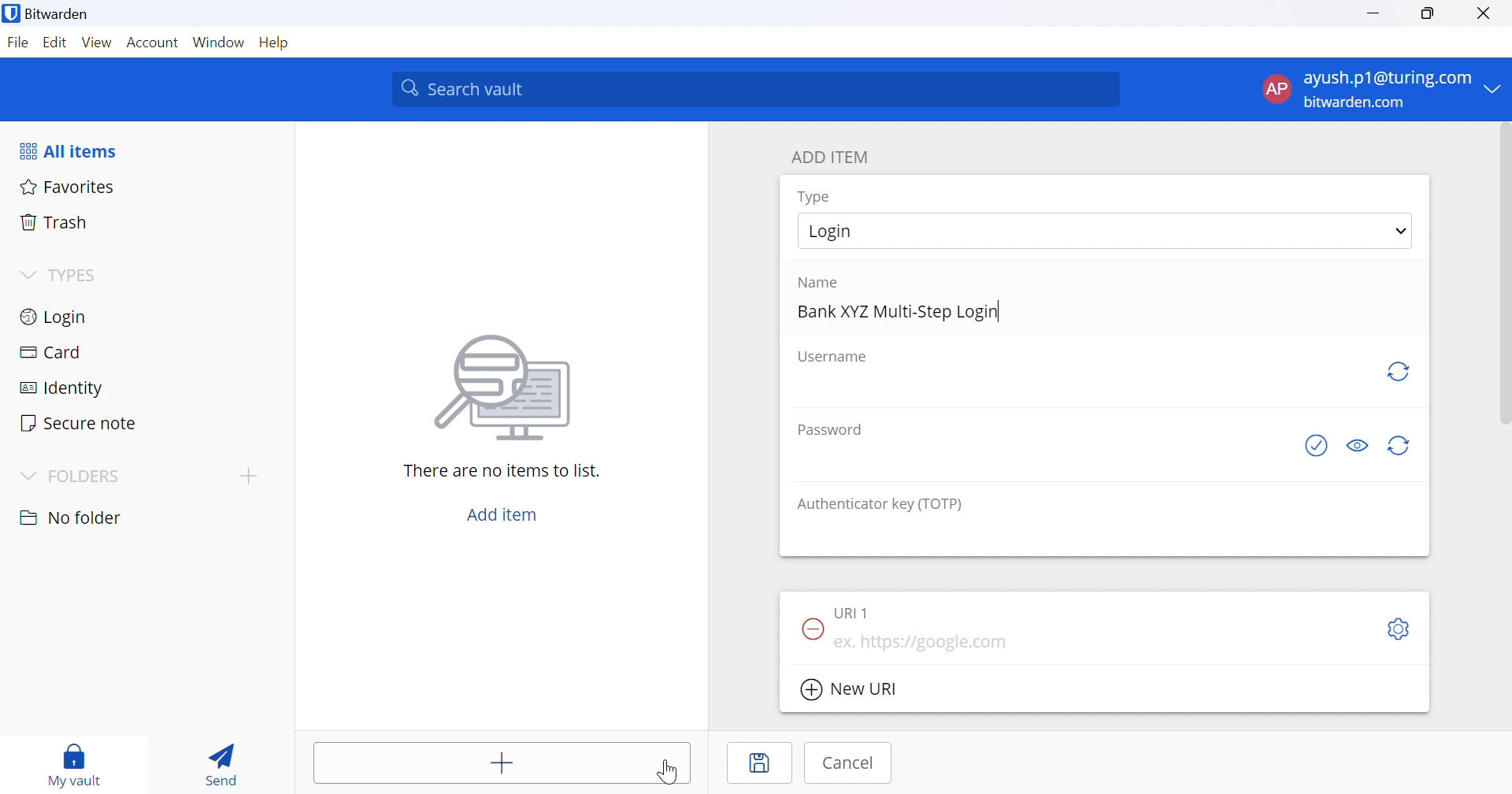 This screenshot has height=794, width=1512. What do you see at coordinates (1398, 232) in the screenshot?
I see `Drop Down` at bounding box center [1398, 232].